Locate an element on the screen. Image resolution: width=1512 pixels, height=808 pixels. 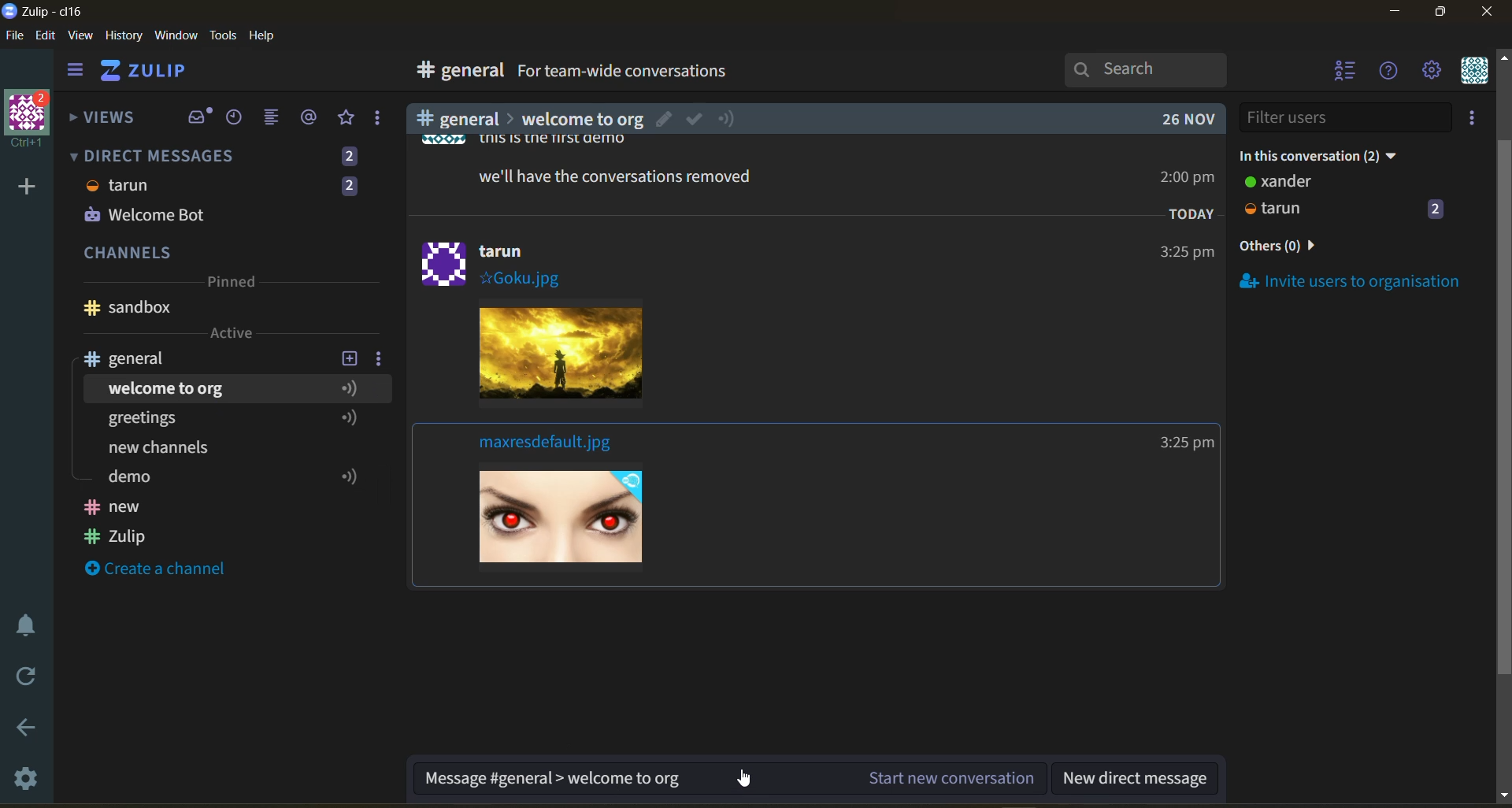
history is located at coordinates (124, 39).